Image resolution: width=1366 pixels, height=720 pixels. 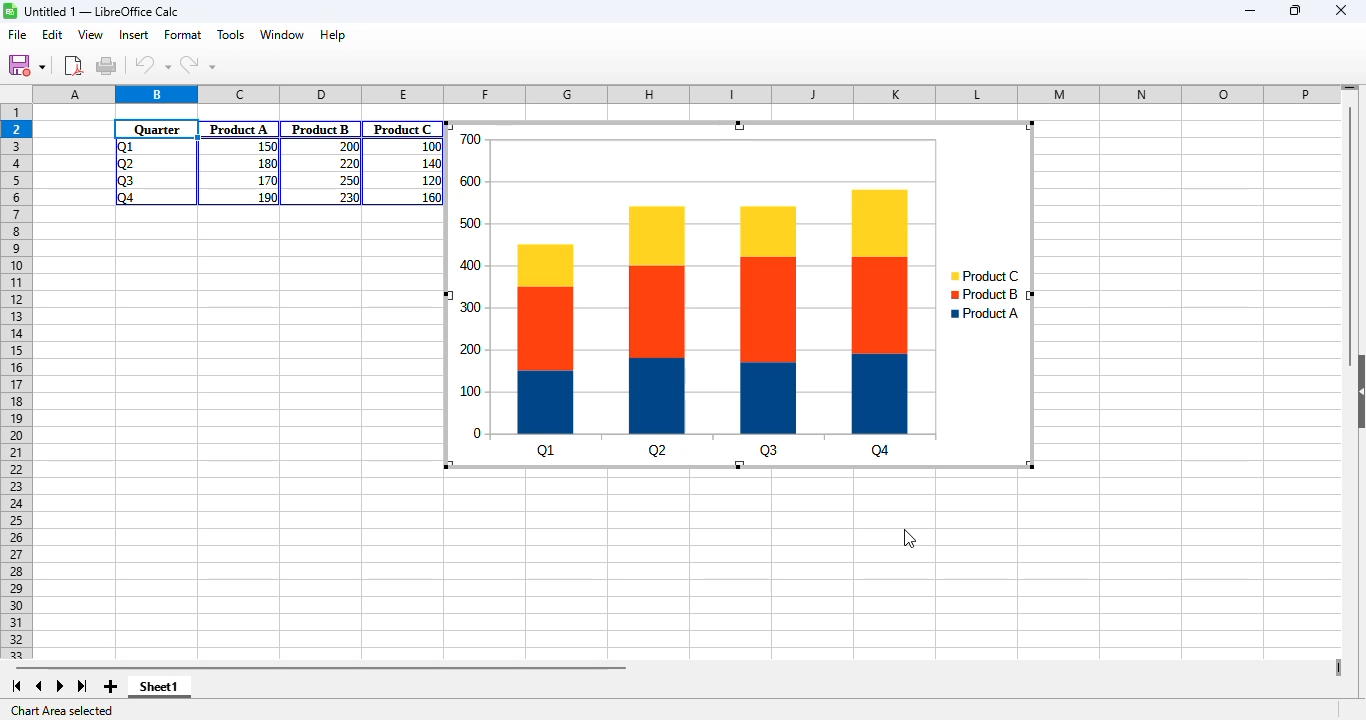 I want to click on rows, so click(x=16, y=373).